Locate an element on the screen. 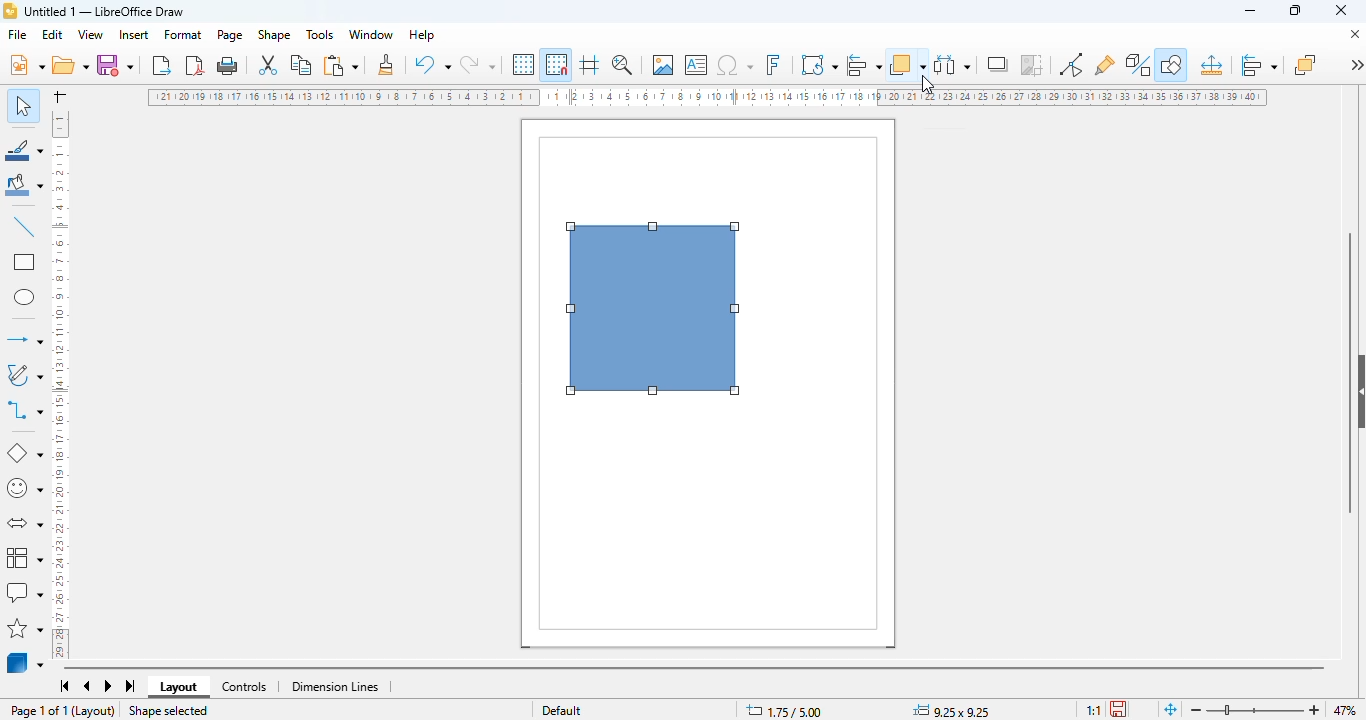 The height and width of the screenshot is (720, 1366). align objects is located at coordinates (863, 64).